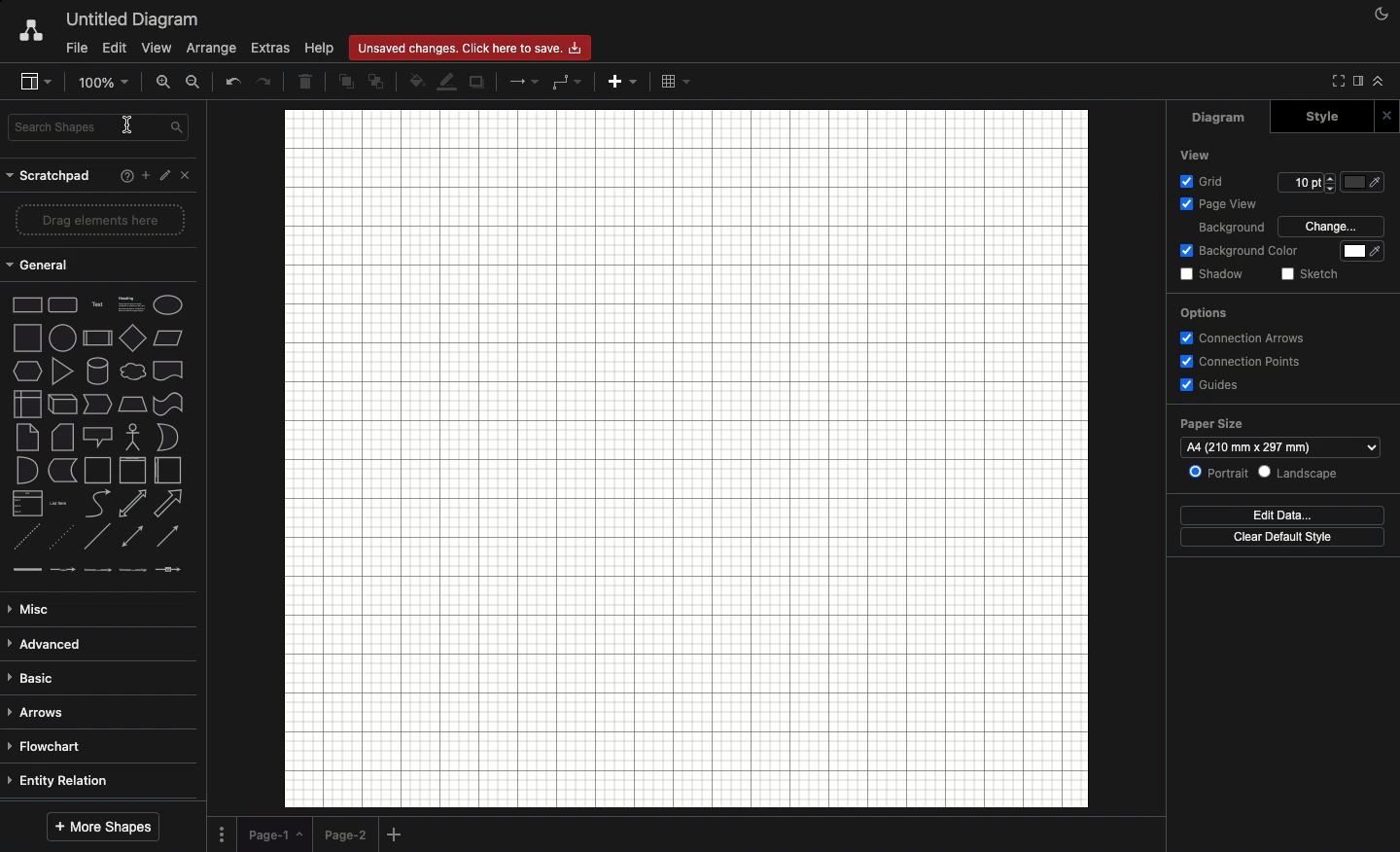 This screenshot has height=852, width=1400. Describe the element at coordinates (1194, 155) in the screenshot. I see `View` at that location.